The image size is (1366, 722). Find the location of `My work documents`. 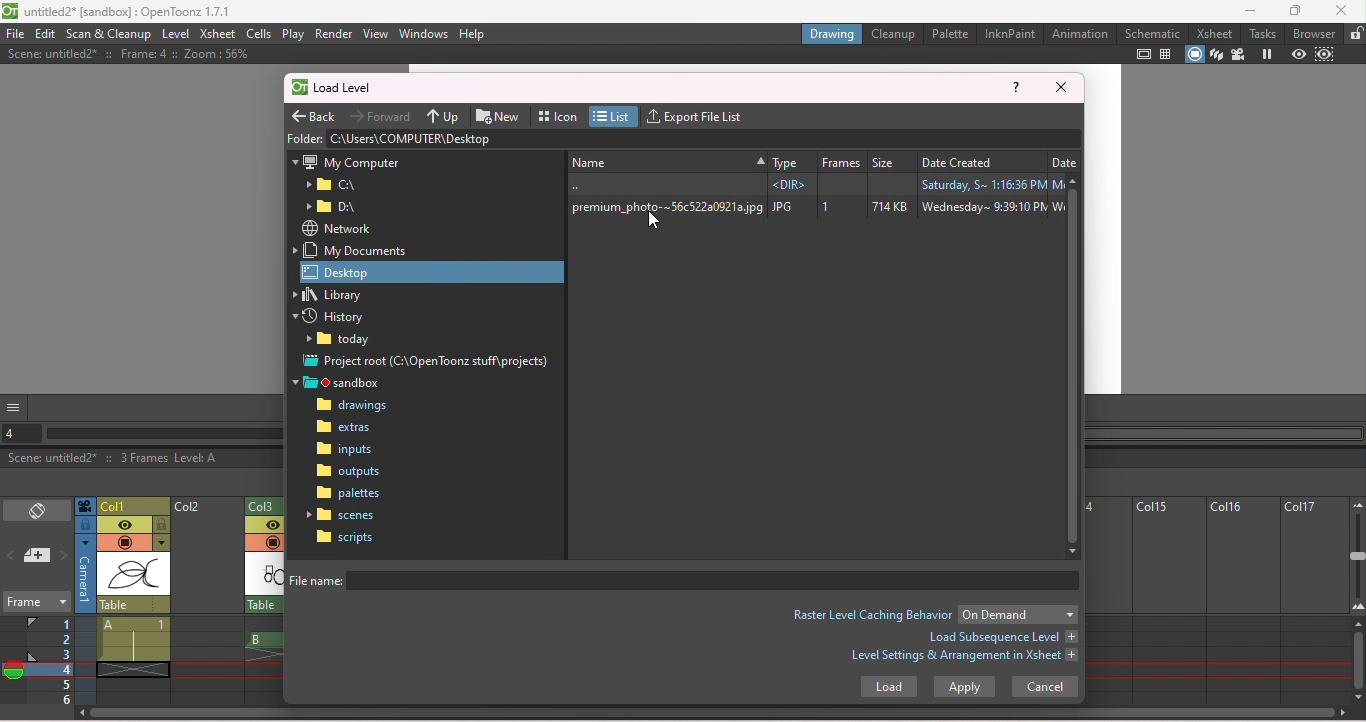

My work documents is located at coordinates (356, 250).